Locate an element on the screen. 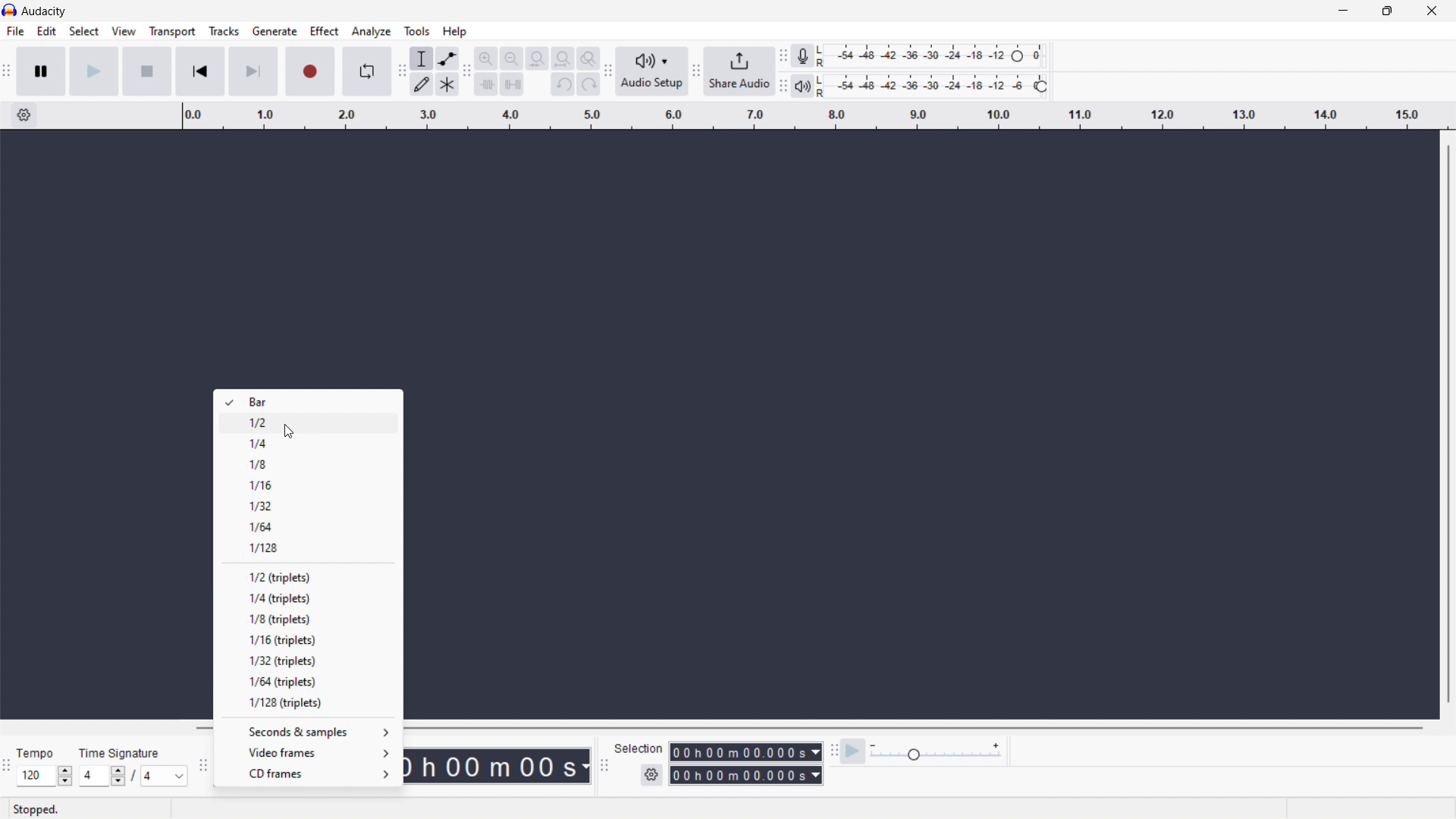 The height and width of the screenshot is (819, 1456). 1/4 is located at coordinates (309, 442).